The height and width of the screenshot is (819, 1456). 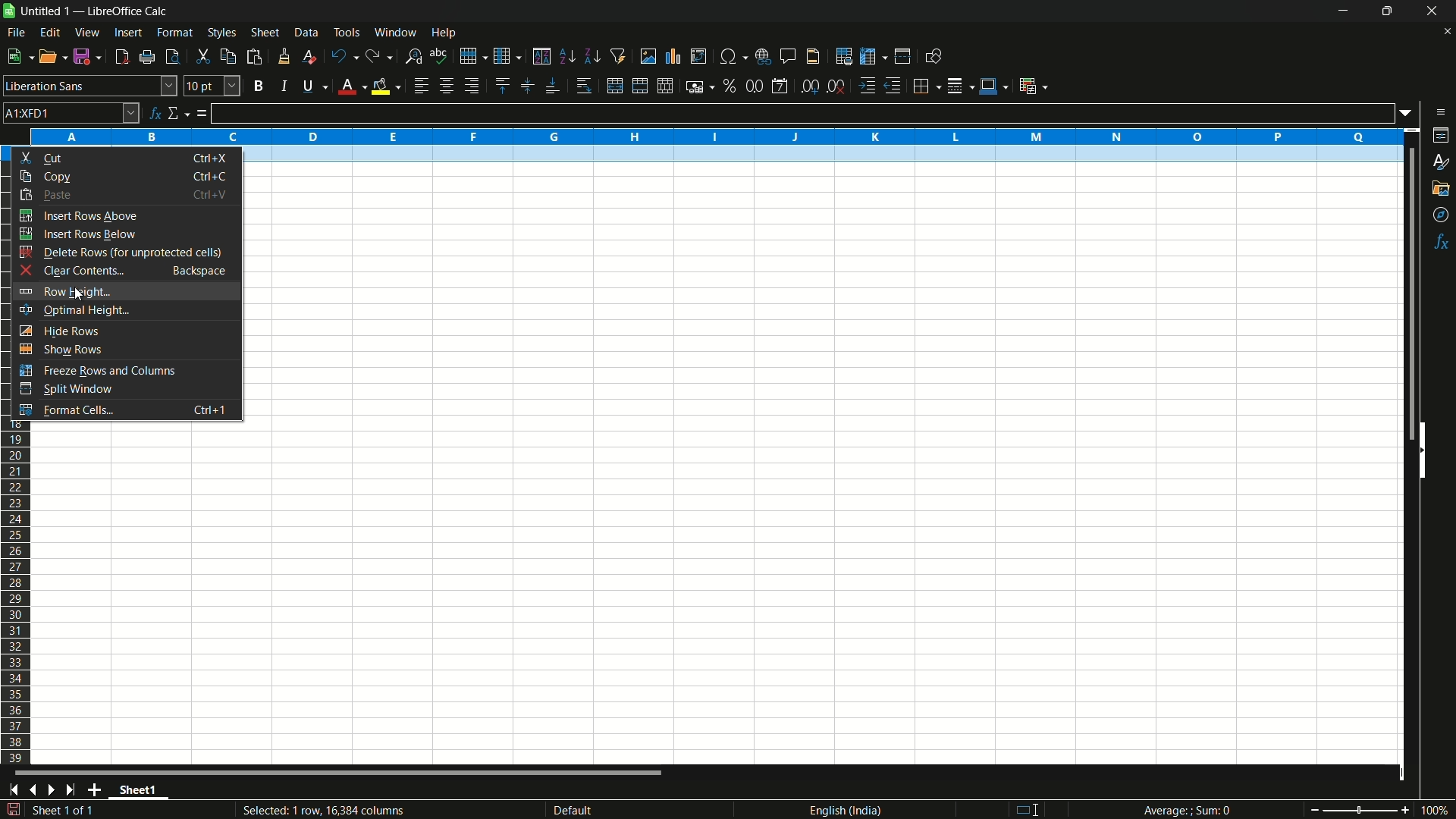 What do you see at coordinates (802, 113) in the screenshot?
I see `formula input line` at bounding box center [802, 113].